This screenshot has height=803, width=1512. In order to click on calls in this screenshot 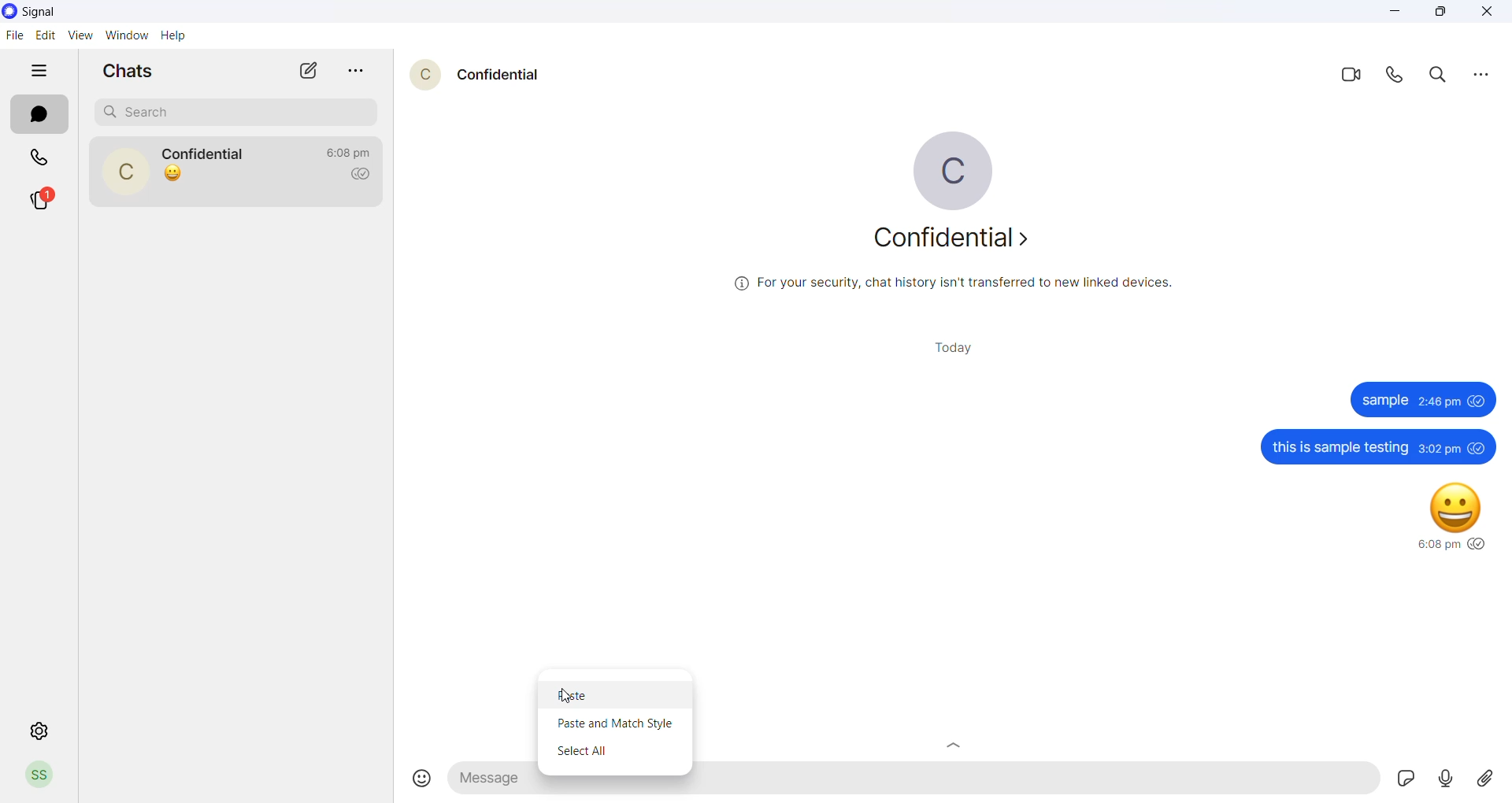, I will do `click(41, 160)`.